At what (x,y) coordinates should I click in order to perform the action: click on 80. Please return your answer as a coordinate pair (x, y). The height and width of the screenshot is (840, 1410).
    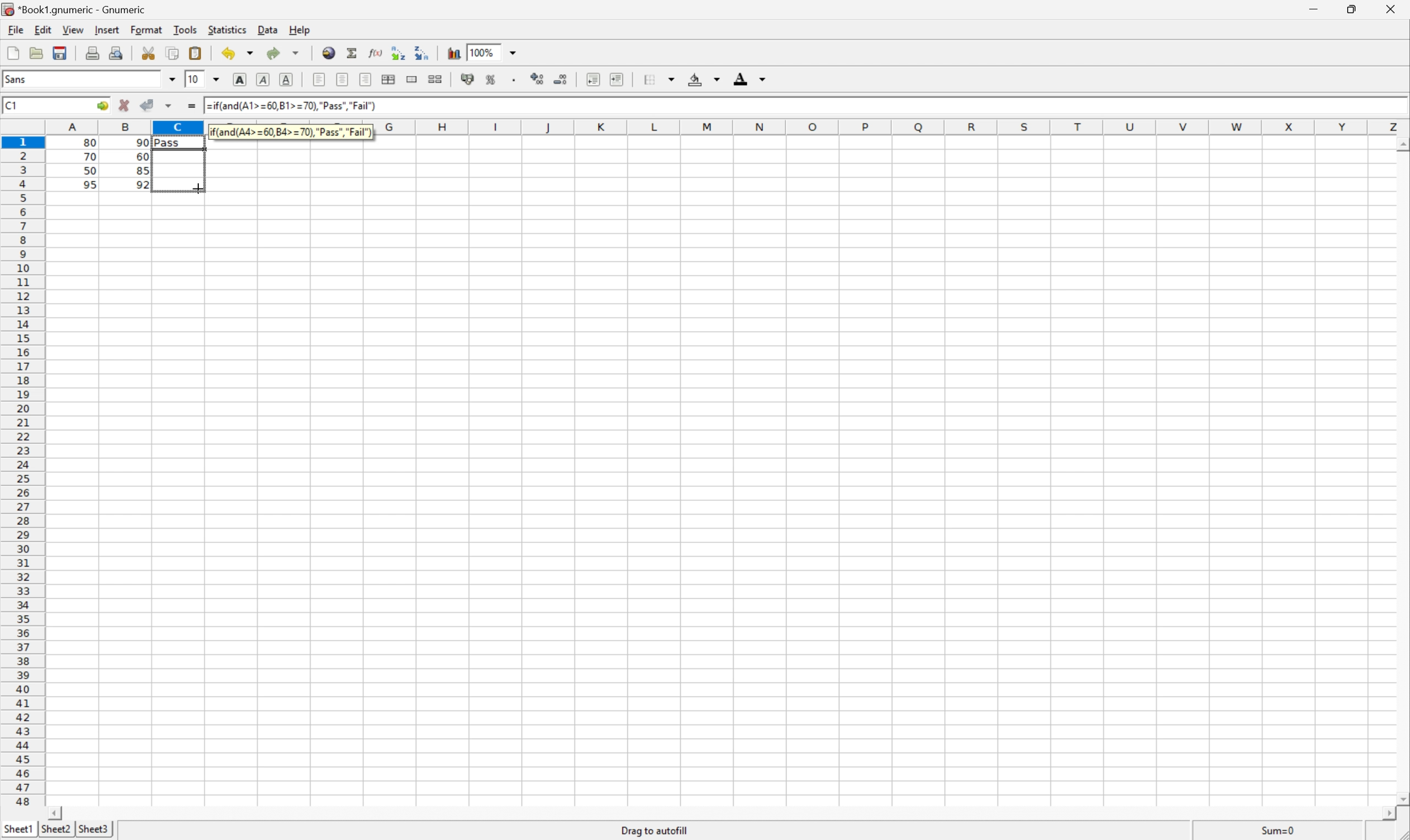
    Looking at the image, I should click on (93, 140).